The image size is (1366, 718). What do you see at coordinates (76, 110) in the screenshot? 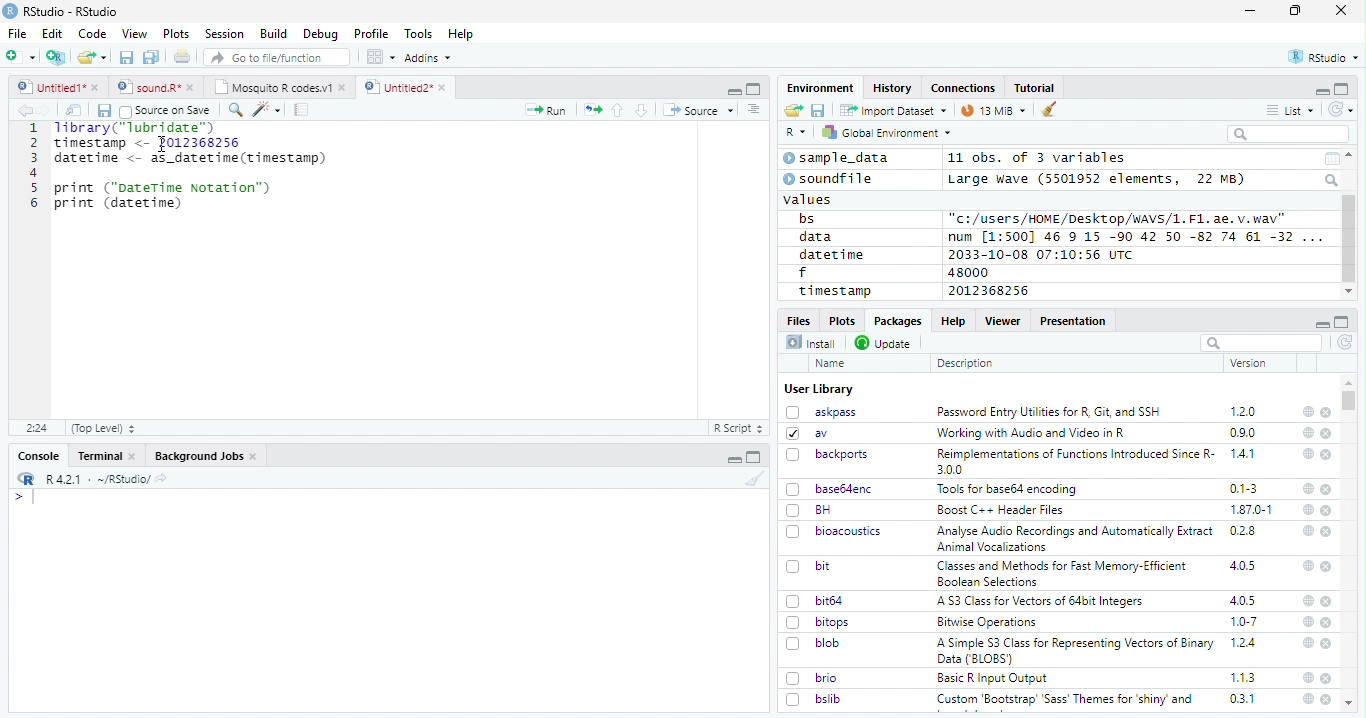
I see `Show in new window` at bounding box center [76, 110].